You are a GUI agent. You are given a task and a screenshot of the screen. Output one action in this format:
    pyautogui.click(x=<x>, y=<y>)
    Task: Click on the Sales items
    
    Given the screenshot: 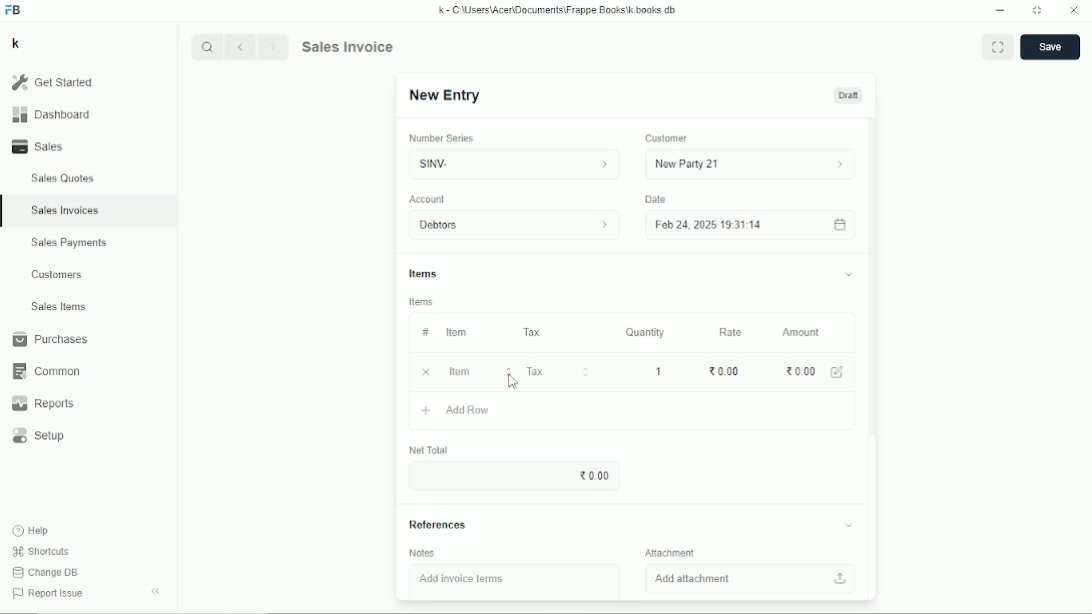 What is the action you would take?
    pyautogui.click(x=58, y=307)
    